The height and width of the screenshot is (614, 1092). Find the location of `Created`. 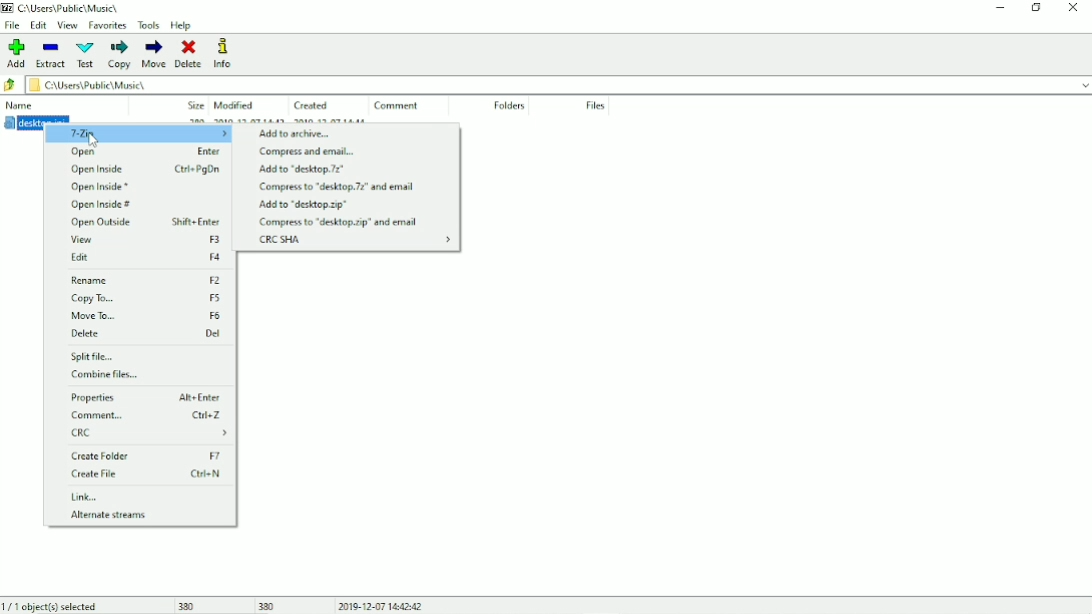

Created is located at coordinates (314, 105).